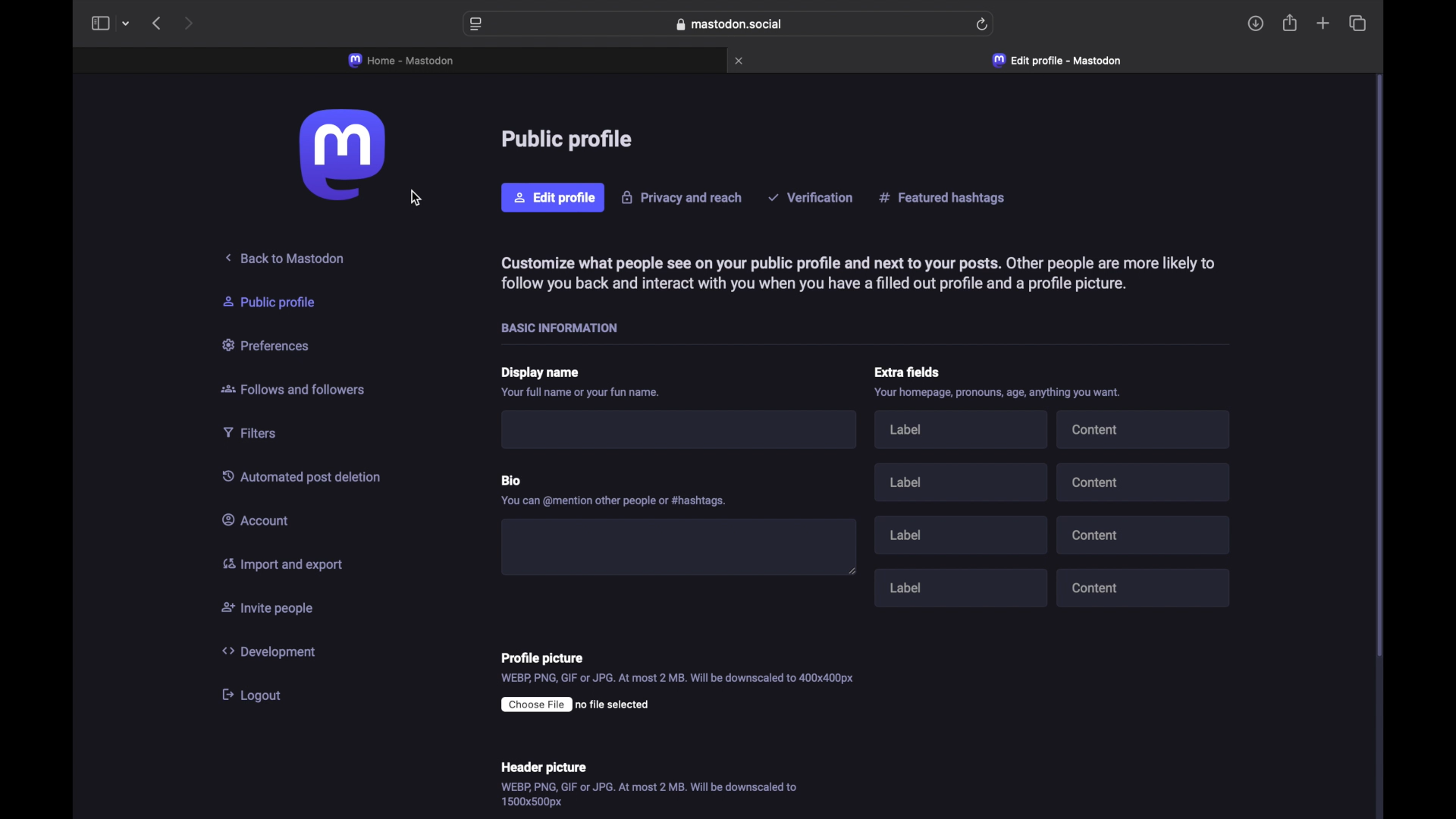  Describe the element at coordinates (961, 588) in the screenshot. I see `label` at that location.